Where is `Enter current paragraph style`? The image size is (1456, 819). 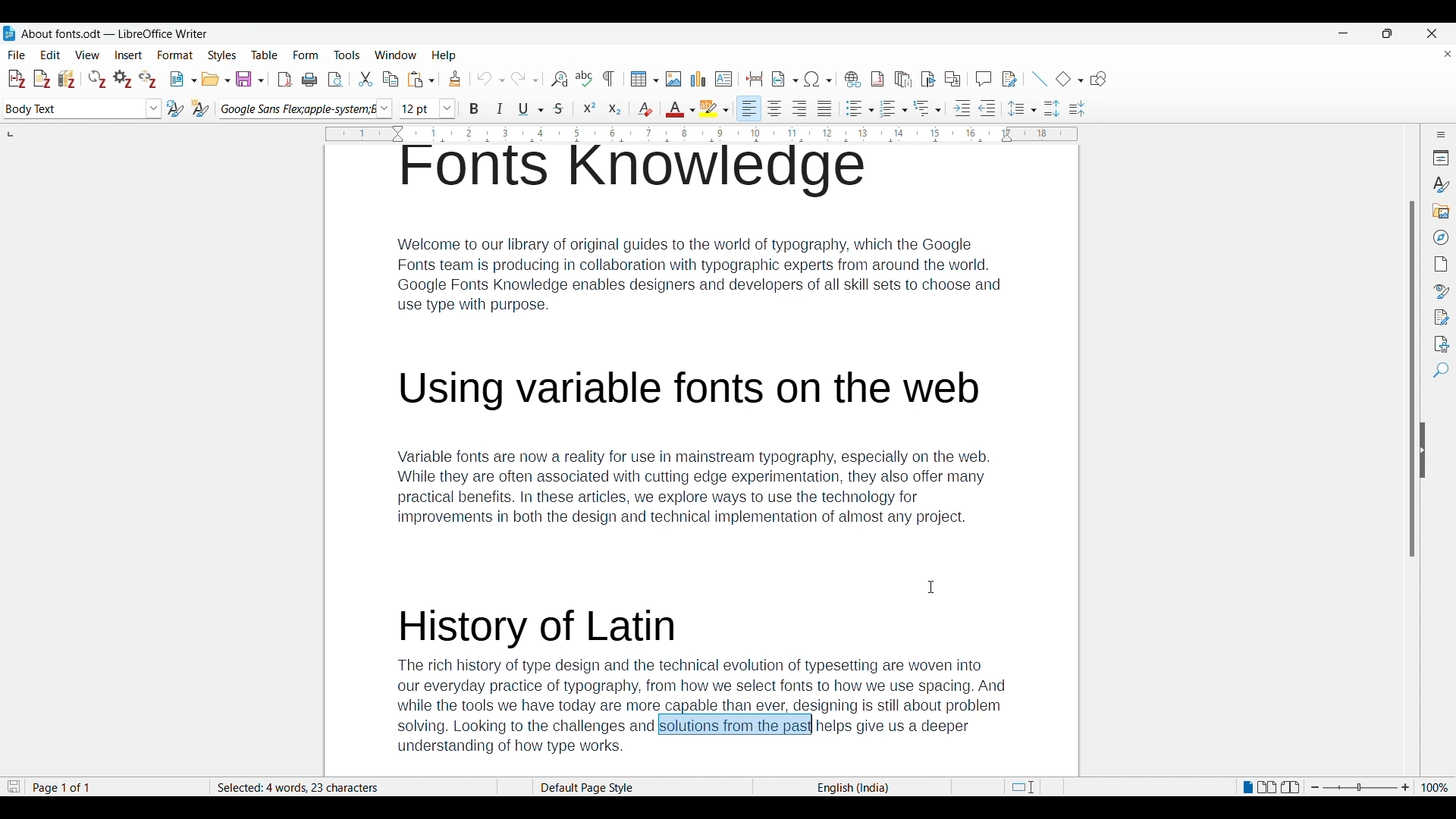 Enter current paragraph style is located at coordinates (73, 108).